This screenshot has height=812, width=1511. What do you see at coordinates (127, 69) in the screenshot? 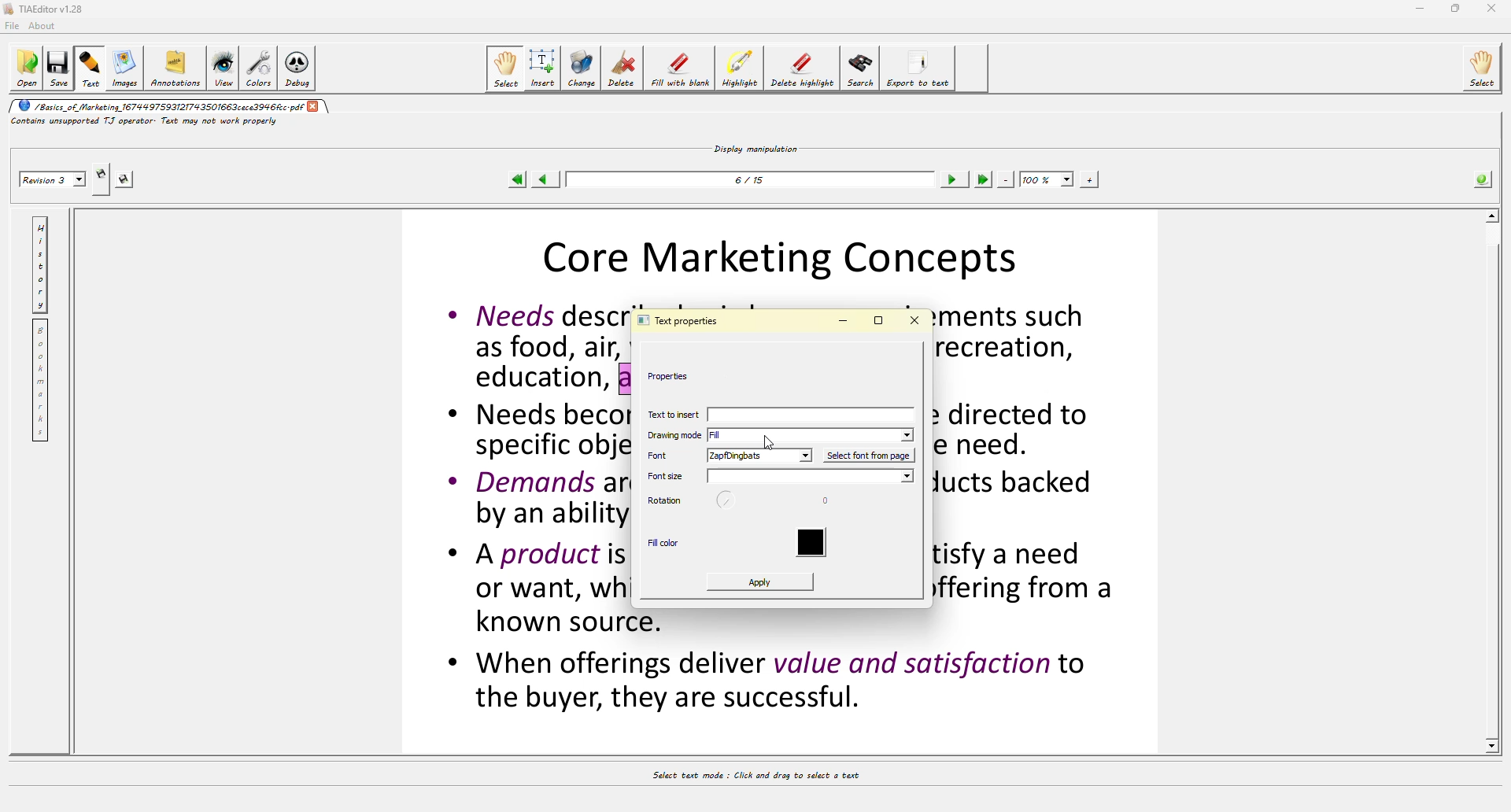
I see `images` at bounding box center [127, 69].